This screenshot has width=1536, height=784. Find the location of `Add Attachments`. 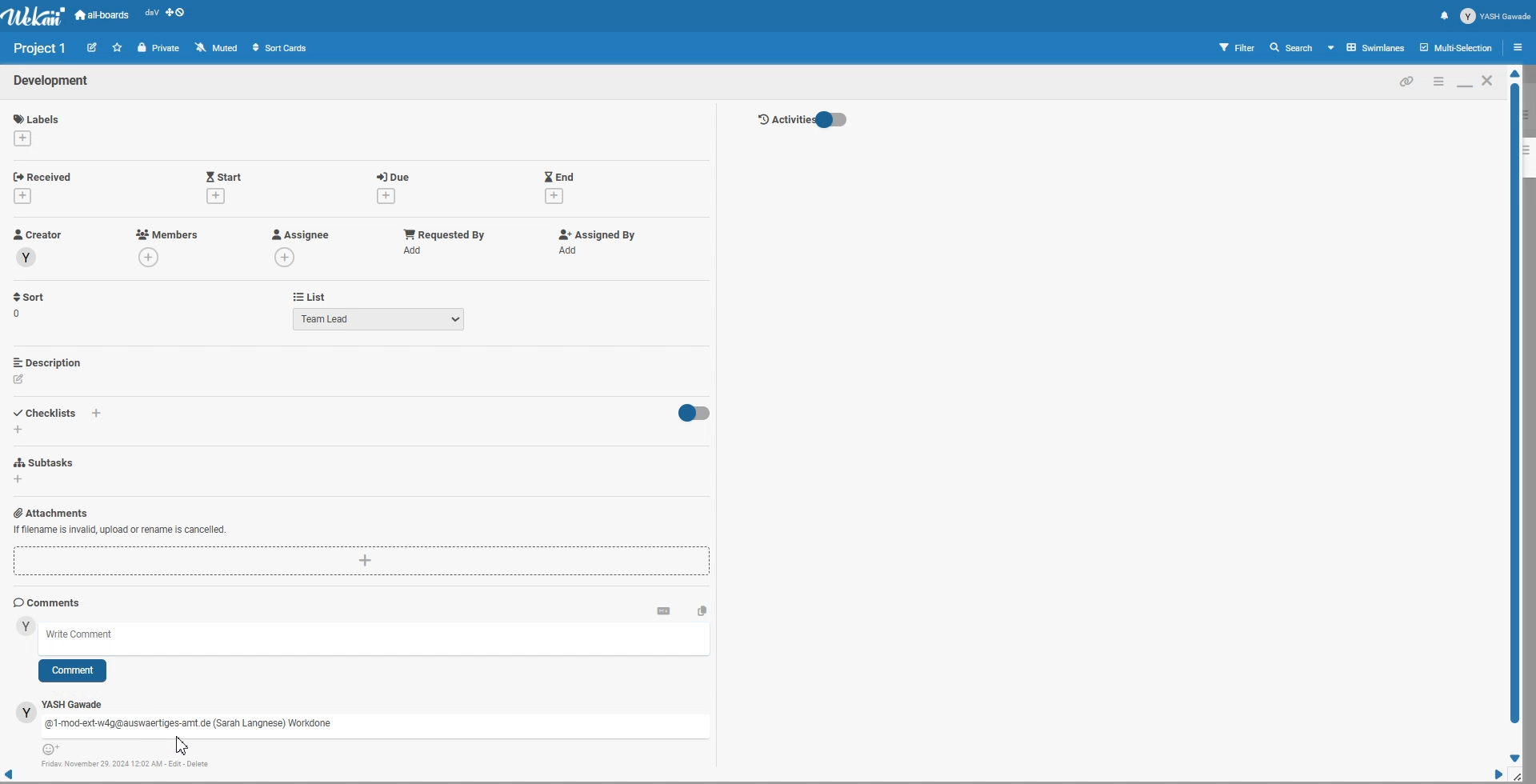

Add Attachments is located at coordinates (119, 530).